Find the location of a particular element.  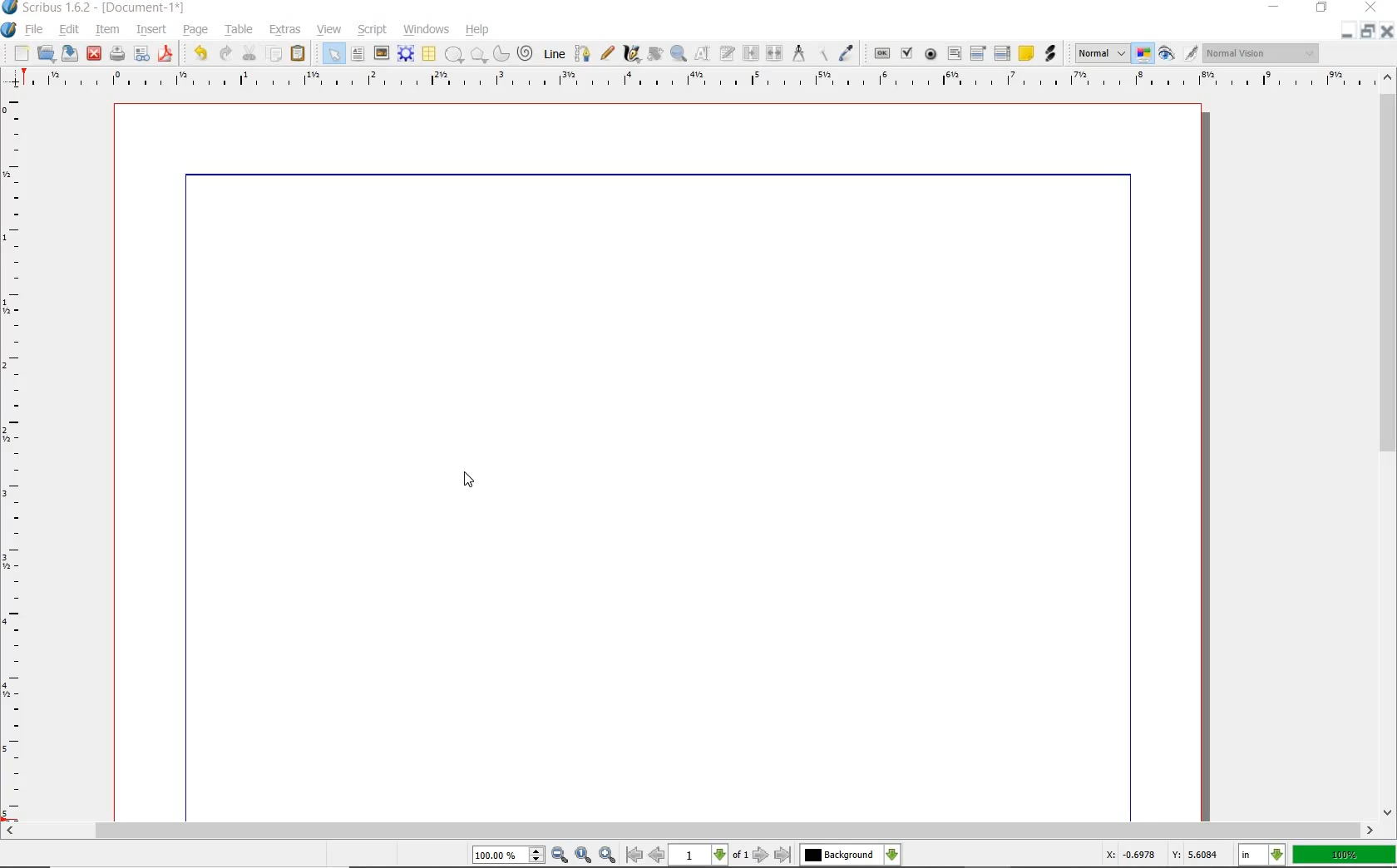

SYSTEM NAME is located at coordinates (95, 7).